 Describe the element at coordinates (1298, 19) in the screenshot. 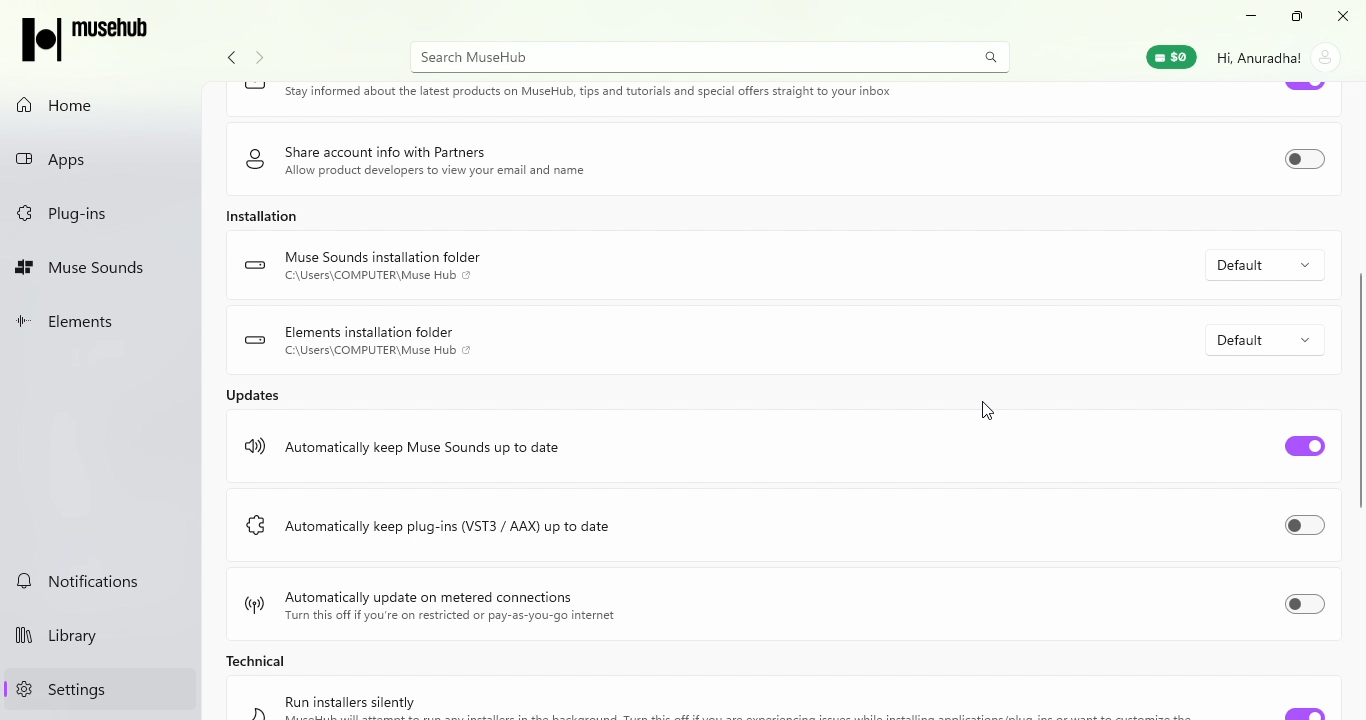

I see `Resize` at that location.